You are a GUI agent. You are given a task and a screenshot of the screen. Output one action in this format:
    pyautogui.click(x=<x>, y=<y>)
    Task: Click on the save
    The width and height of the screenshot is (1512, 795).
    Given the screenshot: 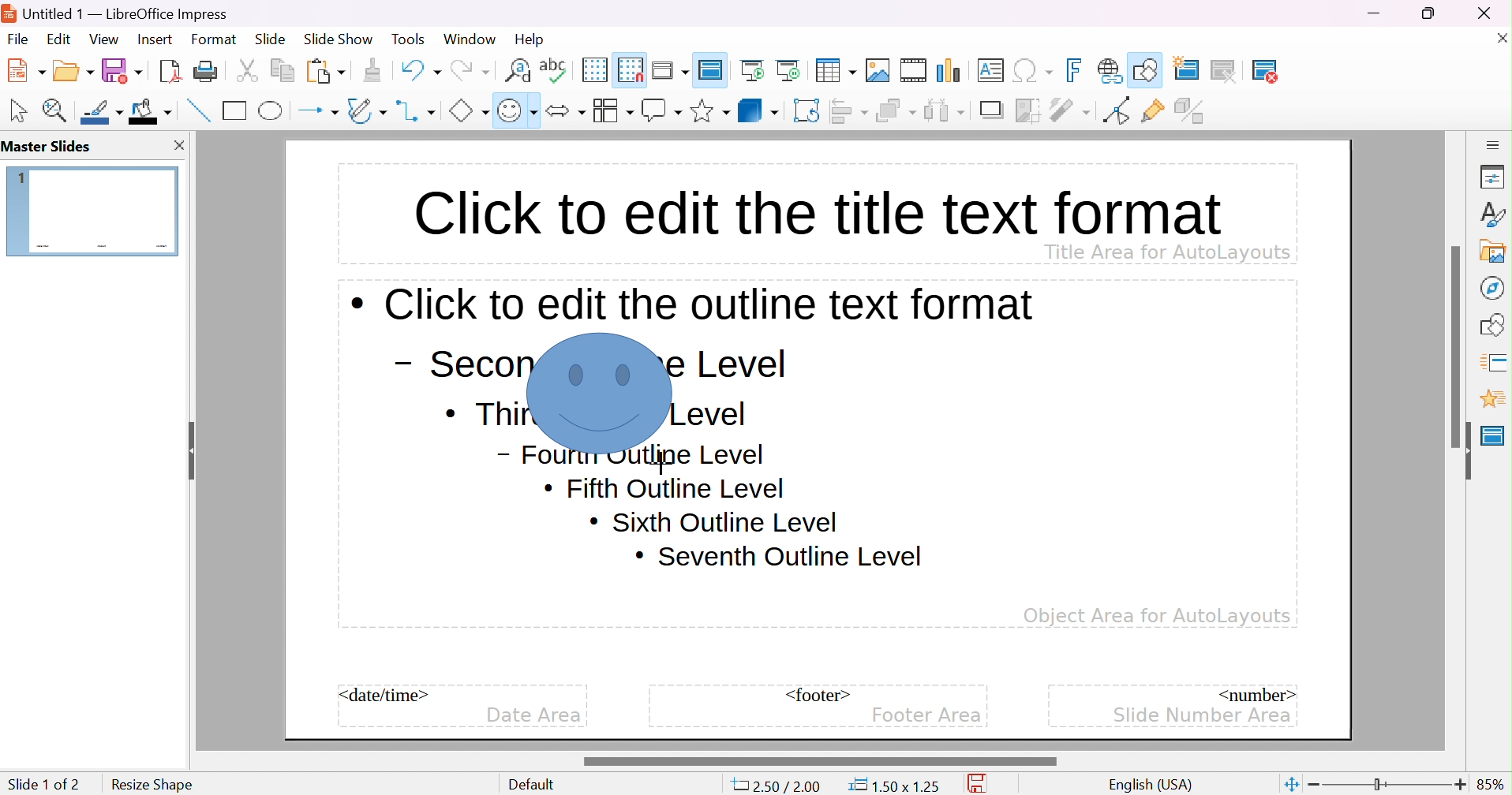 What is the action you would take?
    pyautogui.click(x=982, y=784)
    